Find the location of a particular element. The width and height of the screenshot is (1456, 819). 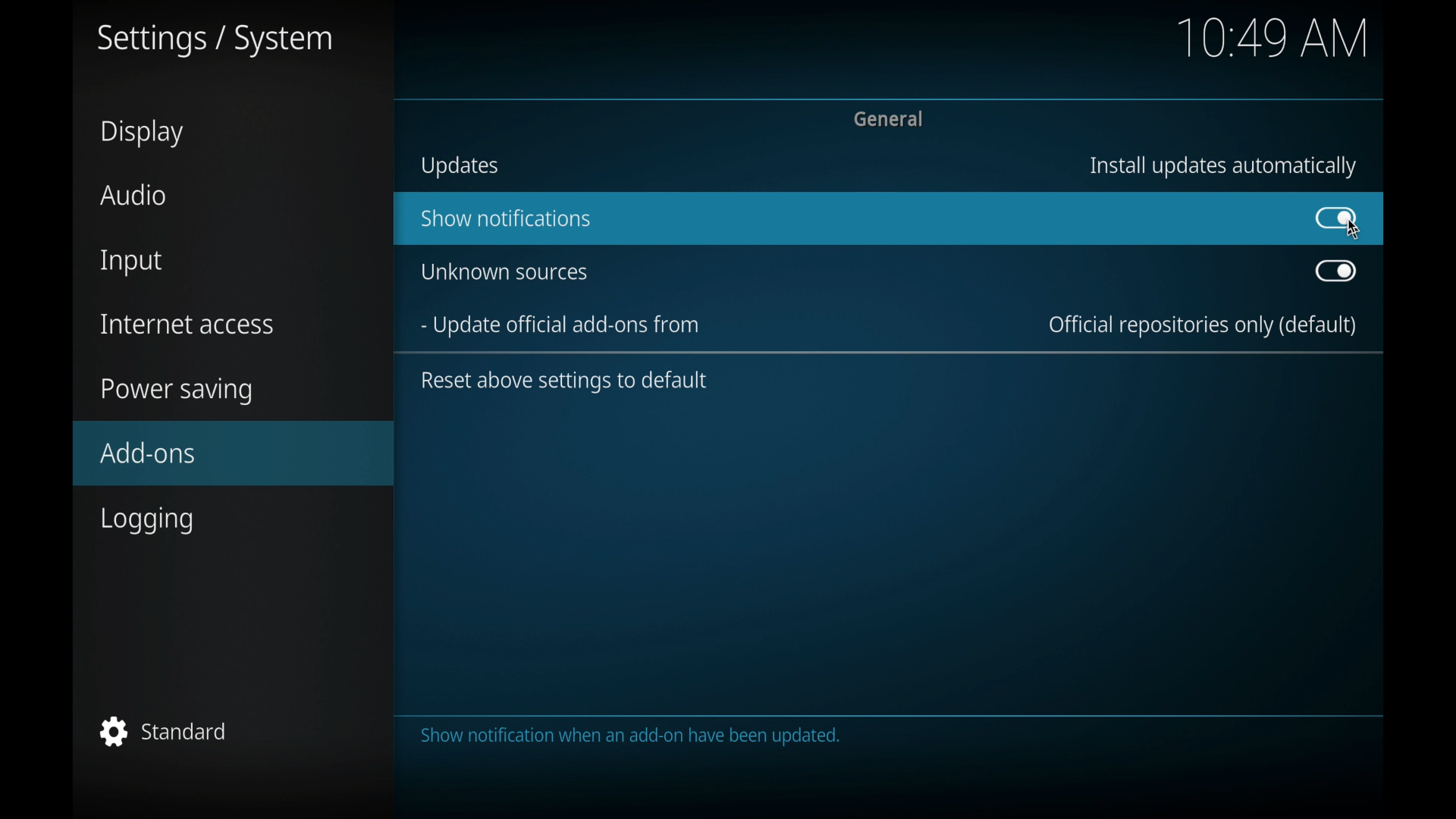

add-ons is located at coordinates (147, 451).